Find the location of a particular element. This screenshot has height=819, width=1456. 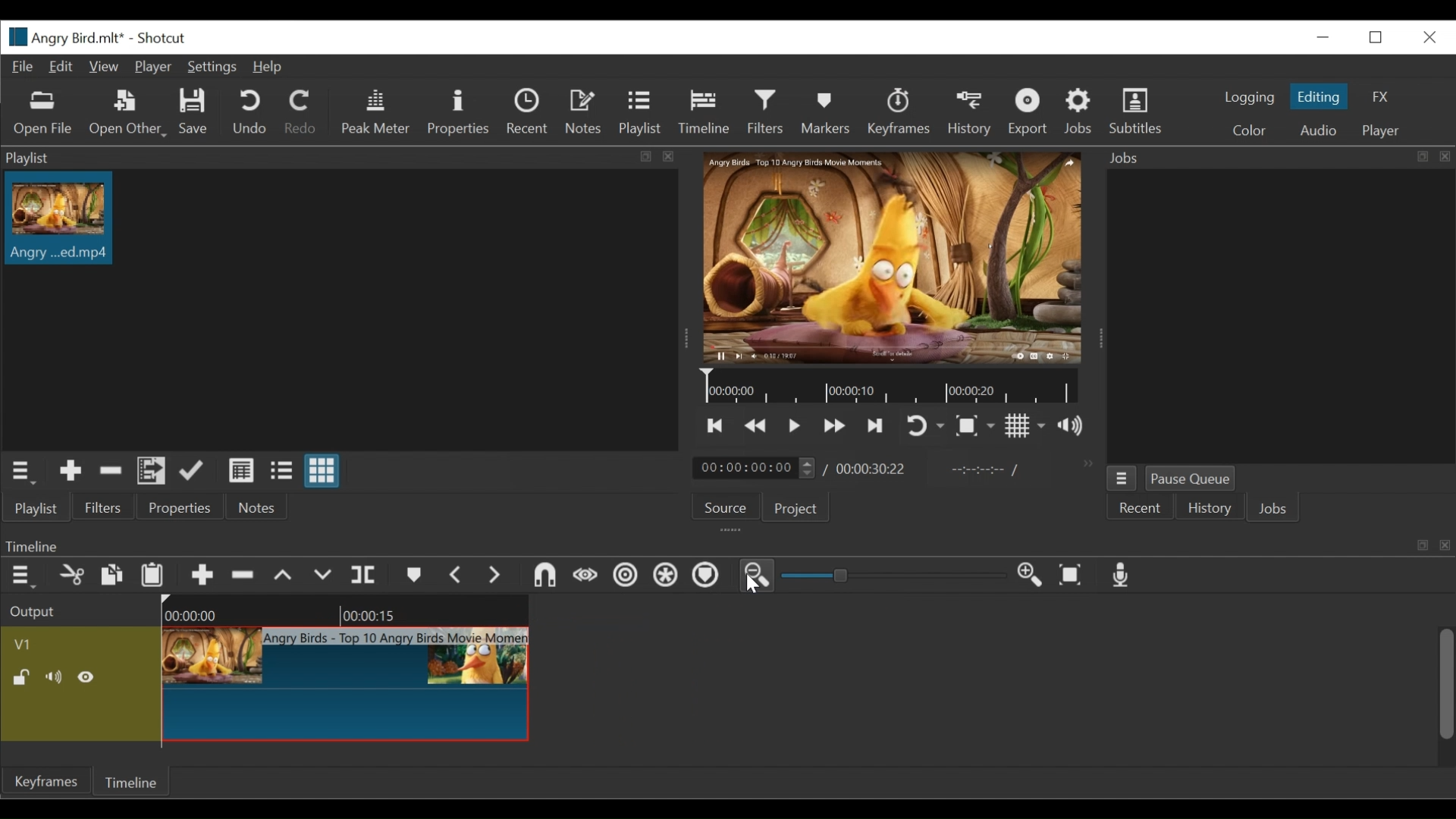

logging is located at coordinates (1250, 98).